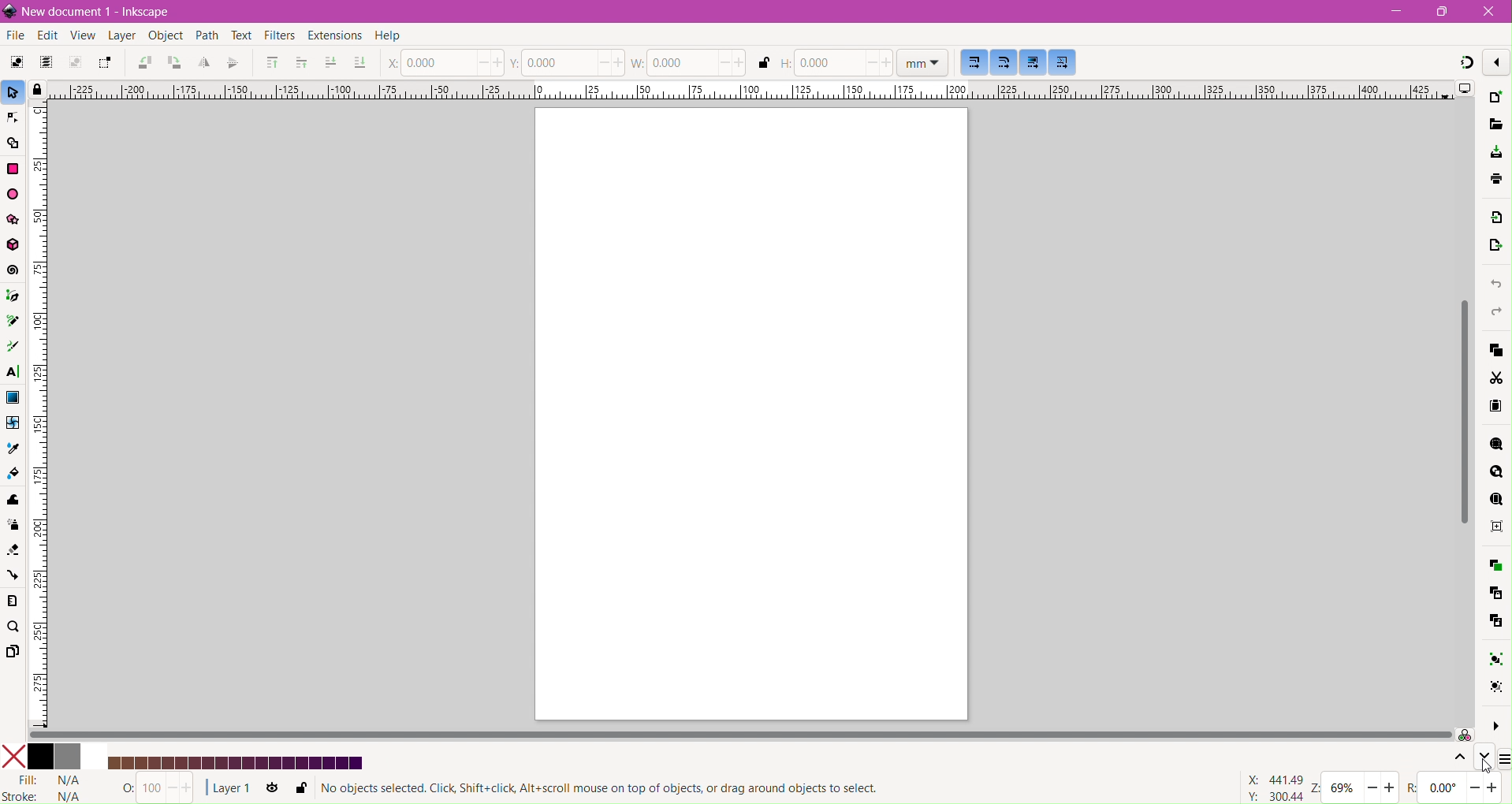  I want to click on cursor, so click(1487, 767).